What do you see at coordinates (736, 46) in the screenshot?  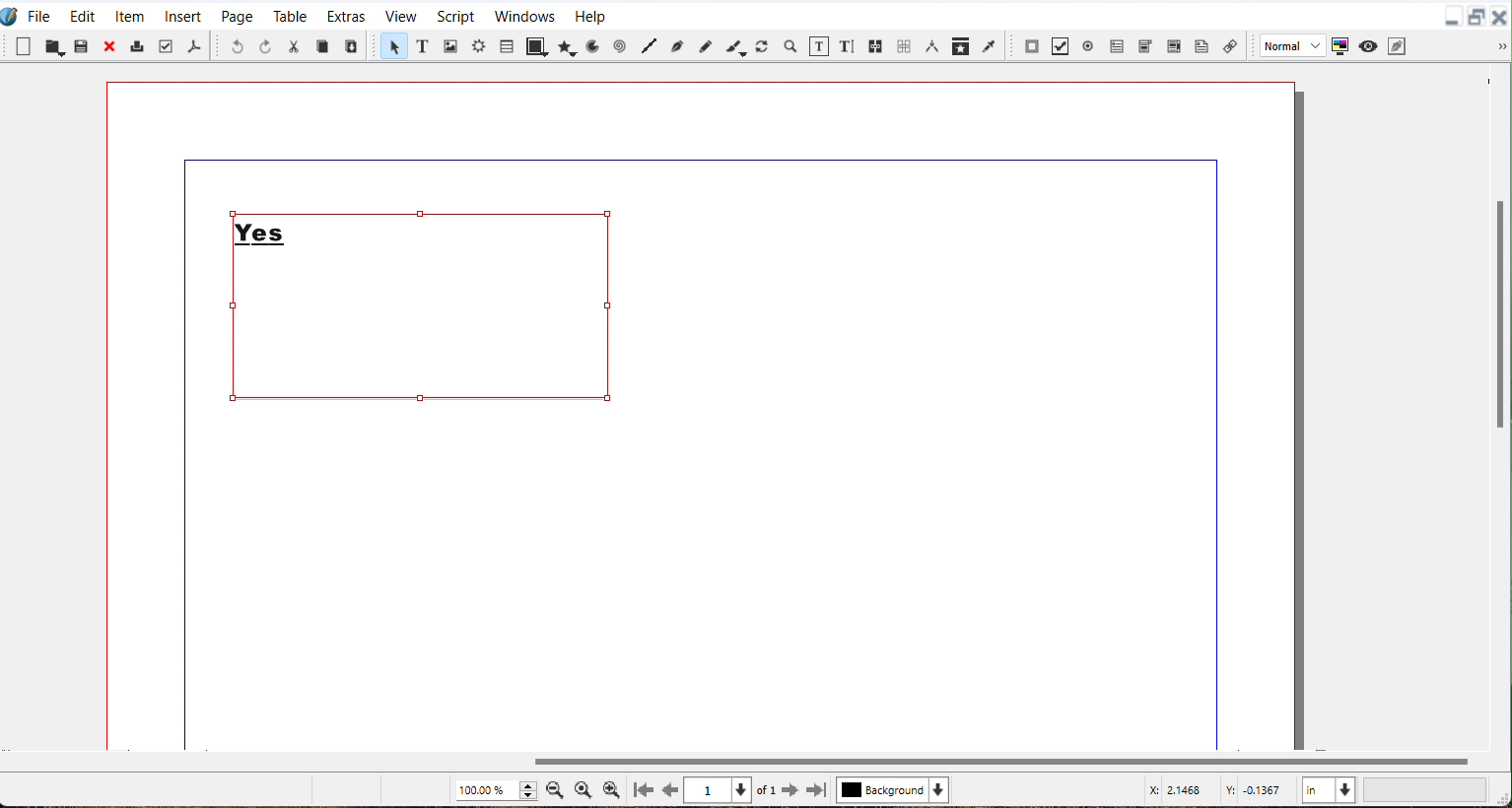 I see `Calligraphic line` at bounding box center [736, 46].